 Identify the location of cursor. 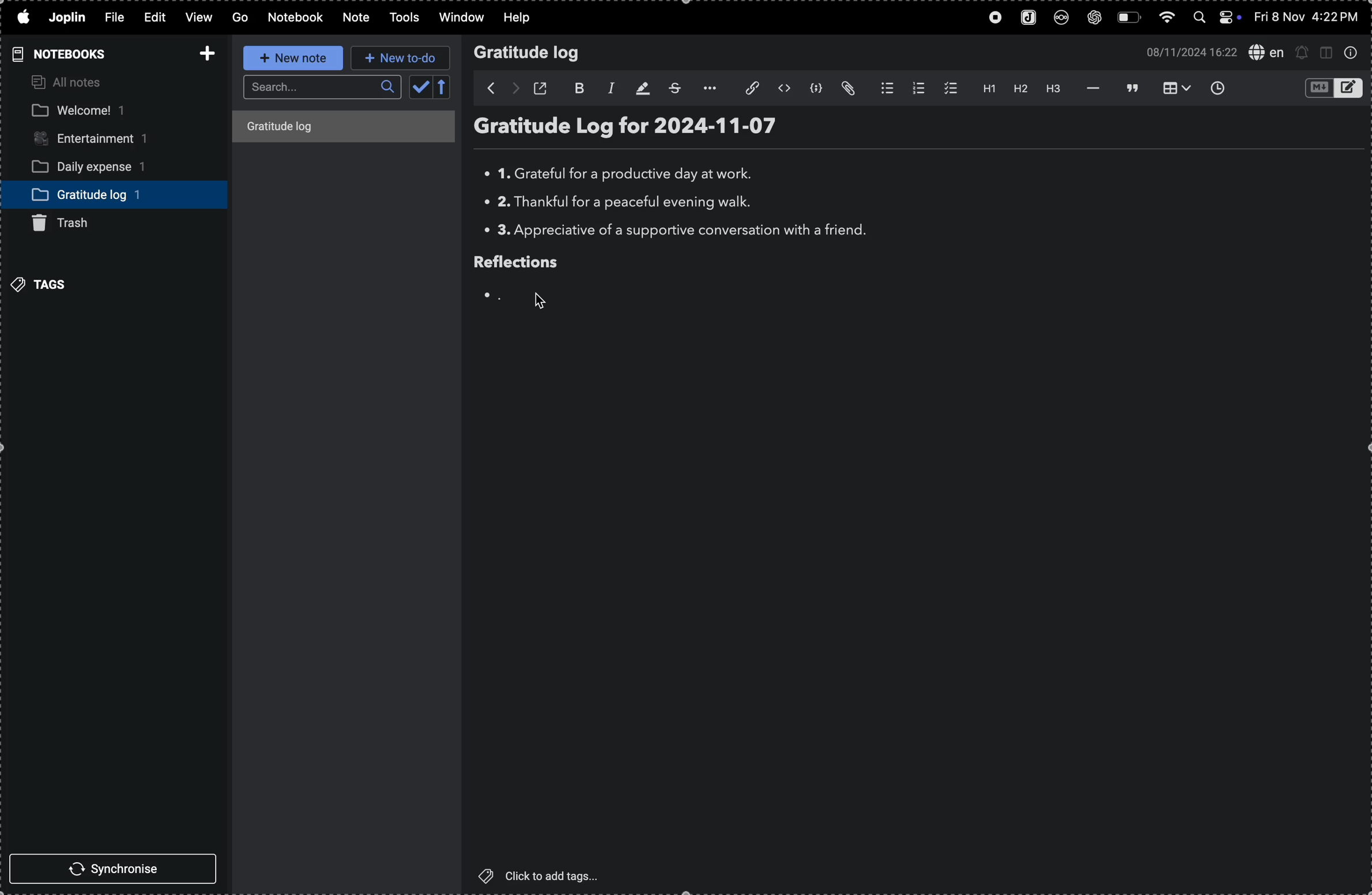
(548, 304).